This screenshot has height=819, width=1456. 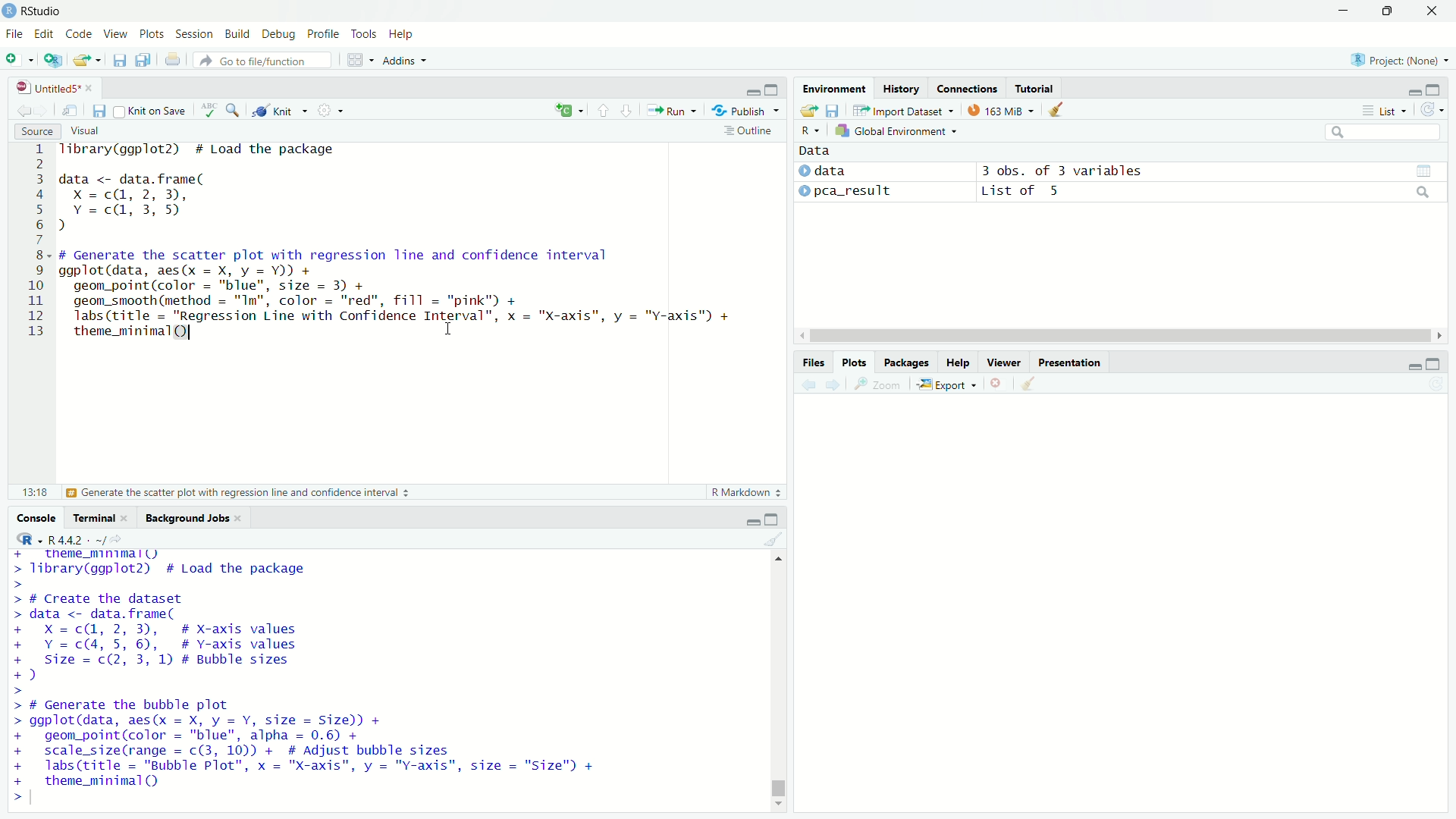 I want to click on Open recent files, so click(x=96, y=60).